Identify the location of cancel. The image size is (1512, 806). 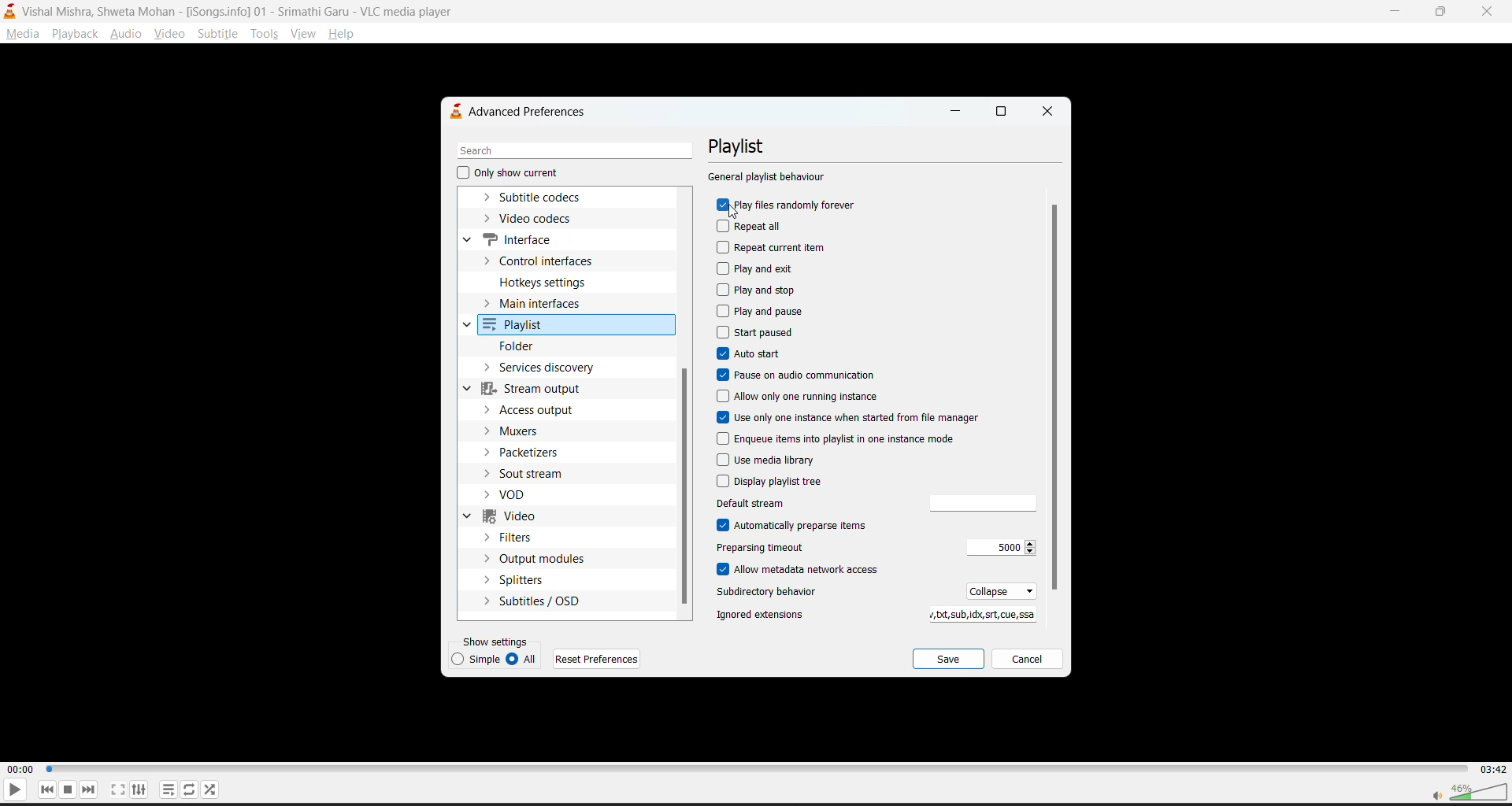
(1030, 659).